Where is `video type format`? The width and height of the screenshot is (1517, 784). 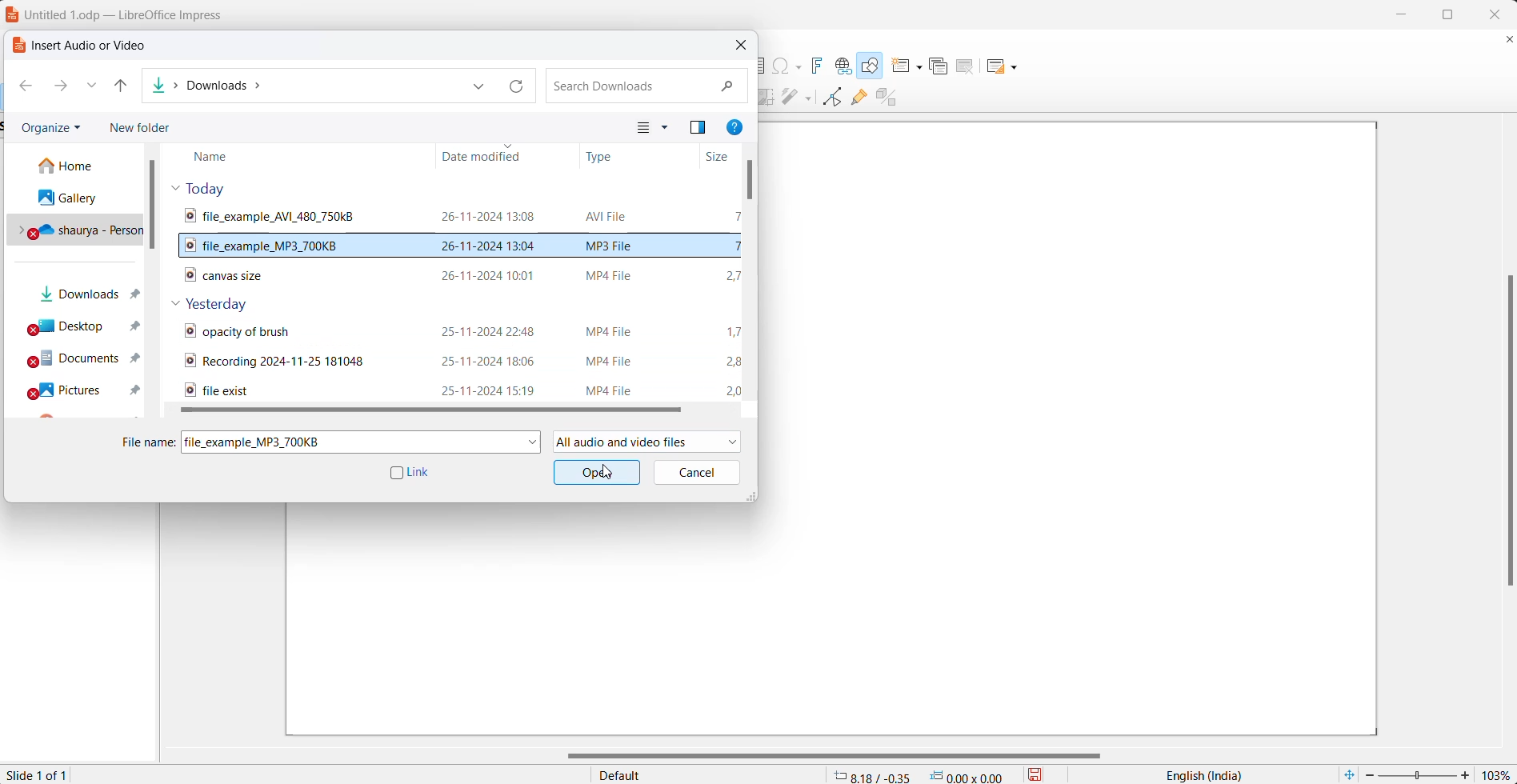 video type format is located at coordinates (614, 360).